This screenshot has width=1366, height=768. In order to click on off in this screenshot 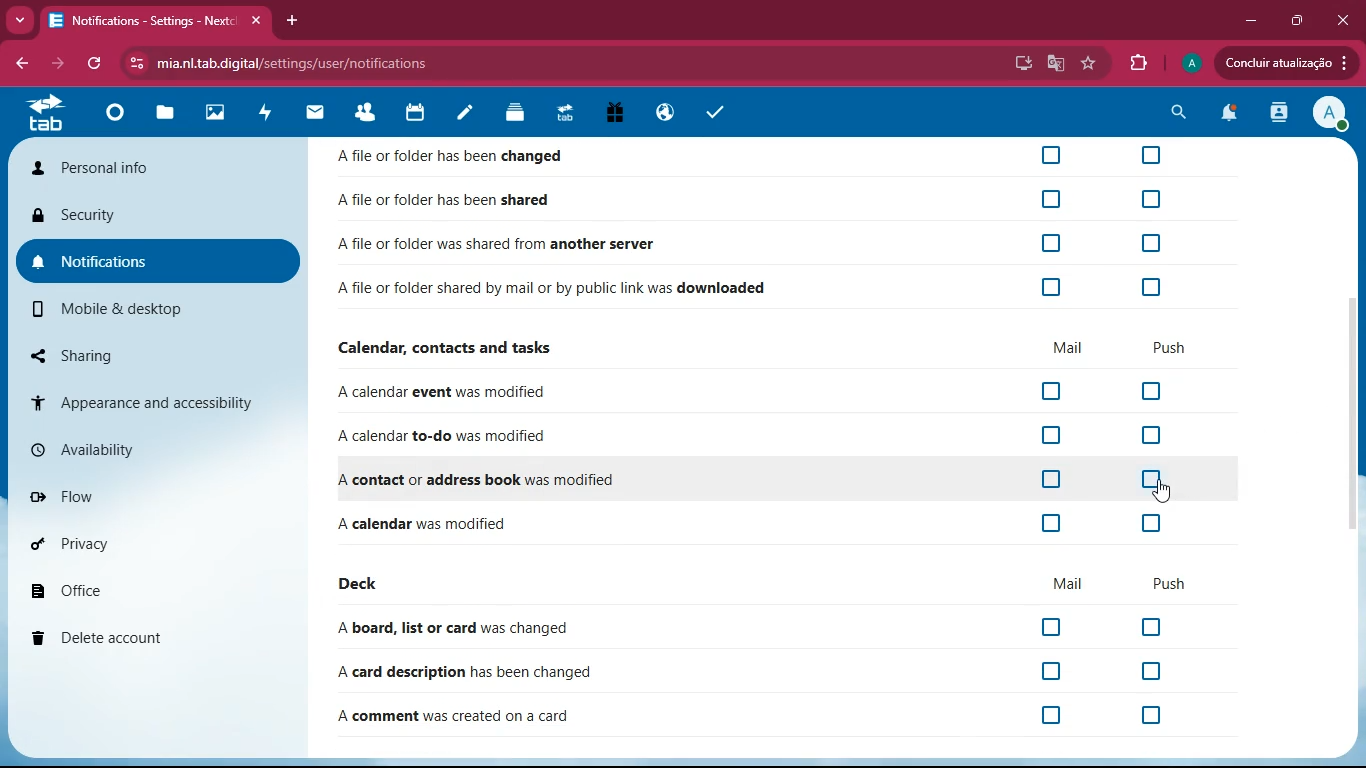, I will do `click(1149, 198)`.